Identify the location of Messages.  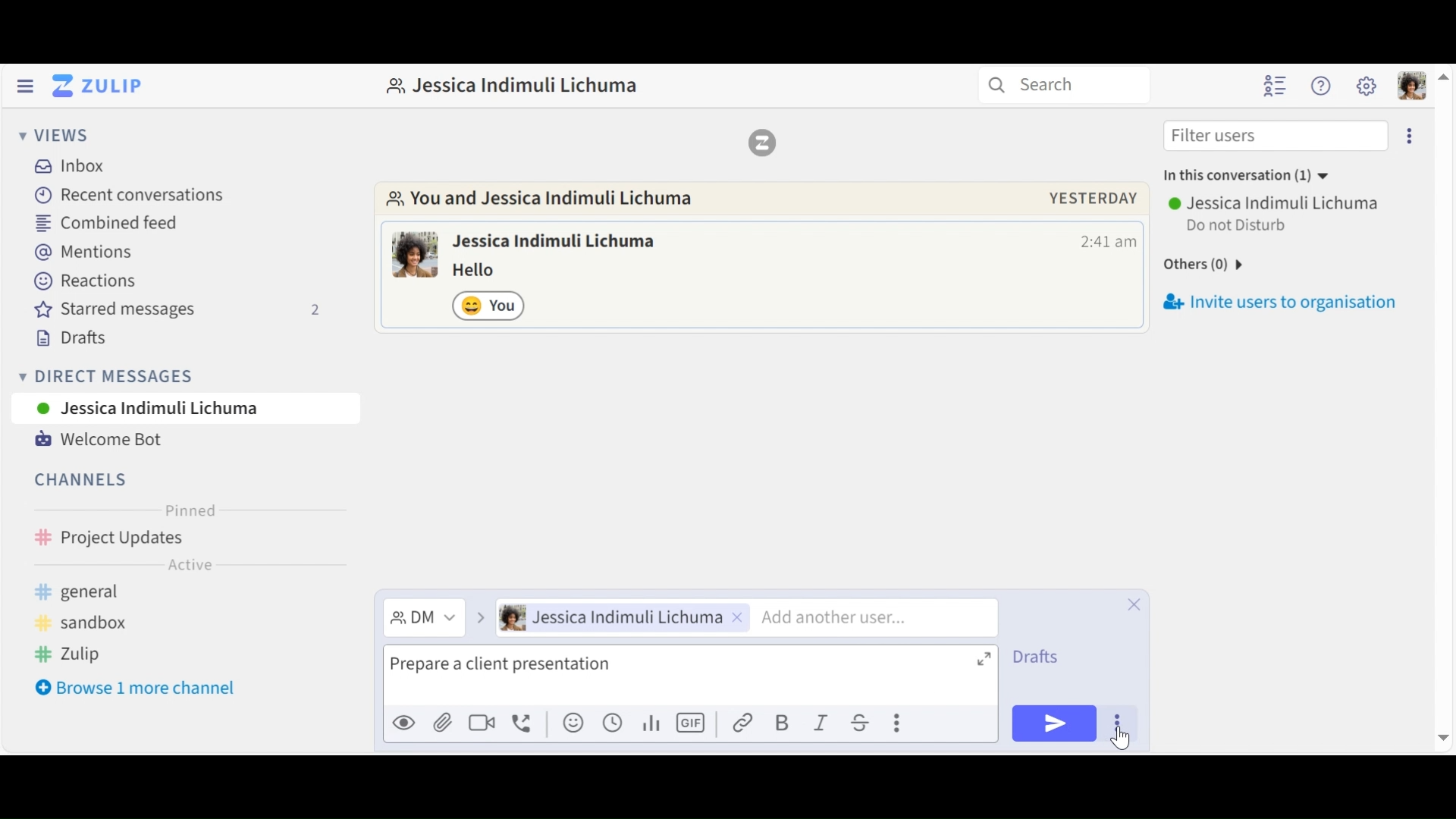
(485, 271).